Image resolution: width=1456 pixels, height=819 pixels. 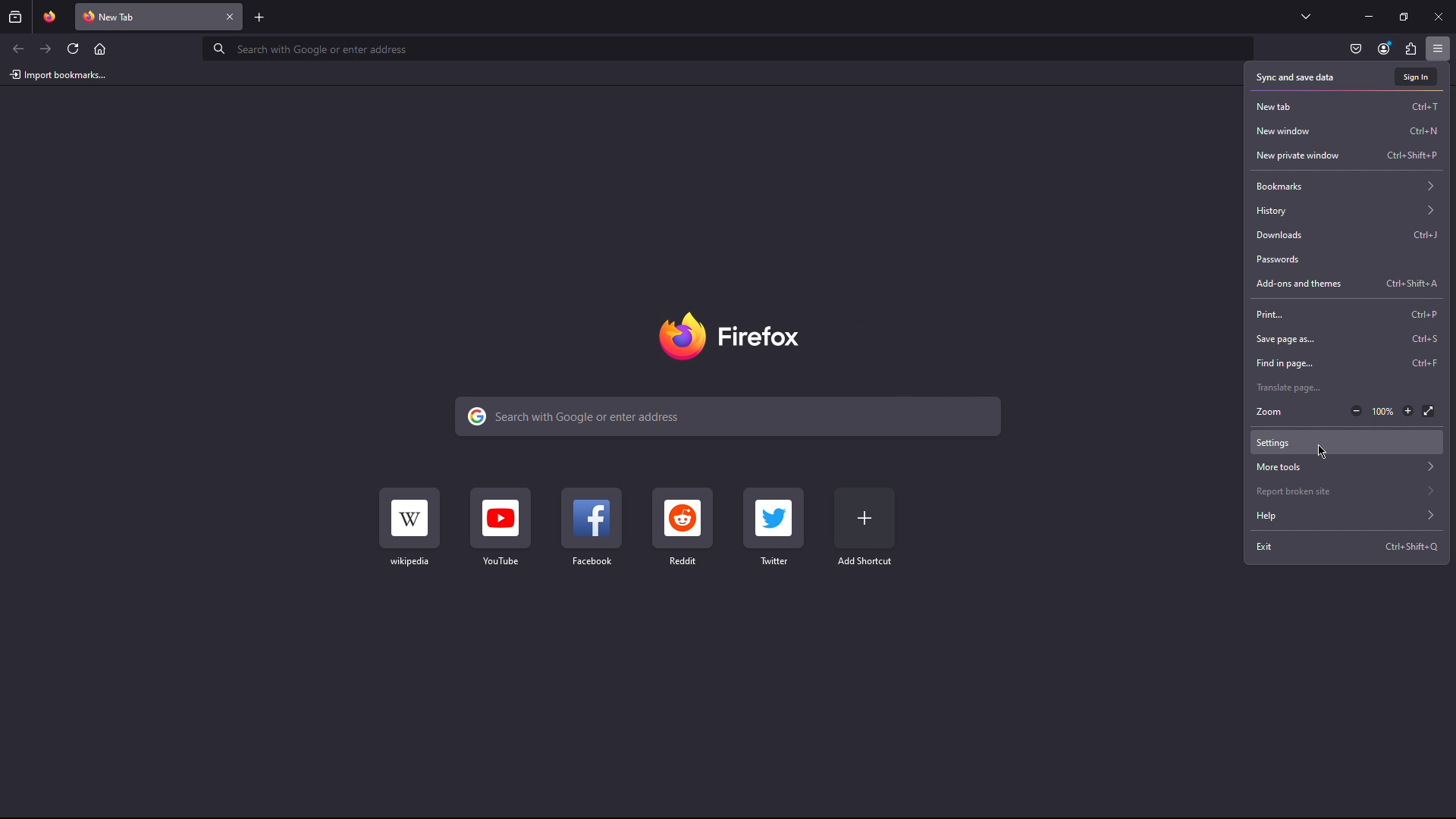 What do you see at coordinates (1346, 105) in the screenshot?
I see `New Tab` at bounding box center [1346, 105].